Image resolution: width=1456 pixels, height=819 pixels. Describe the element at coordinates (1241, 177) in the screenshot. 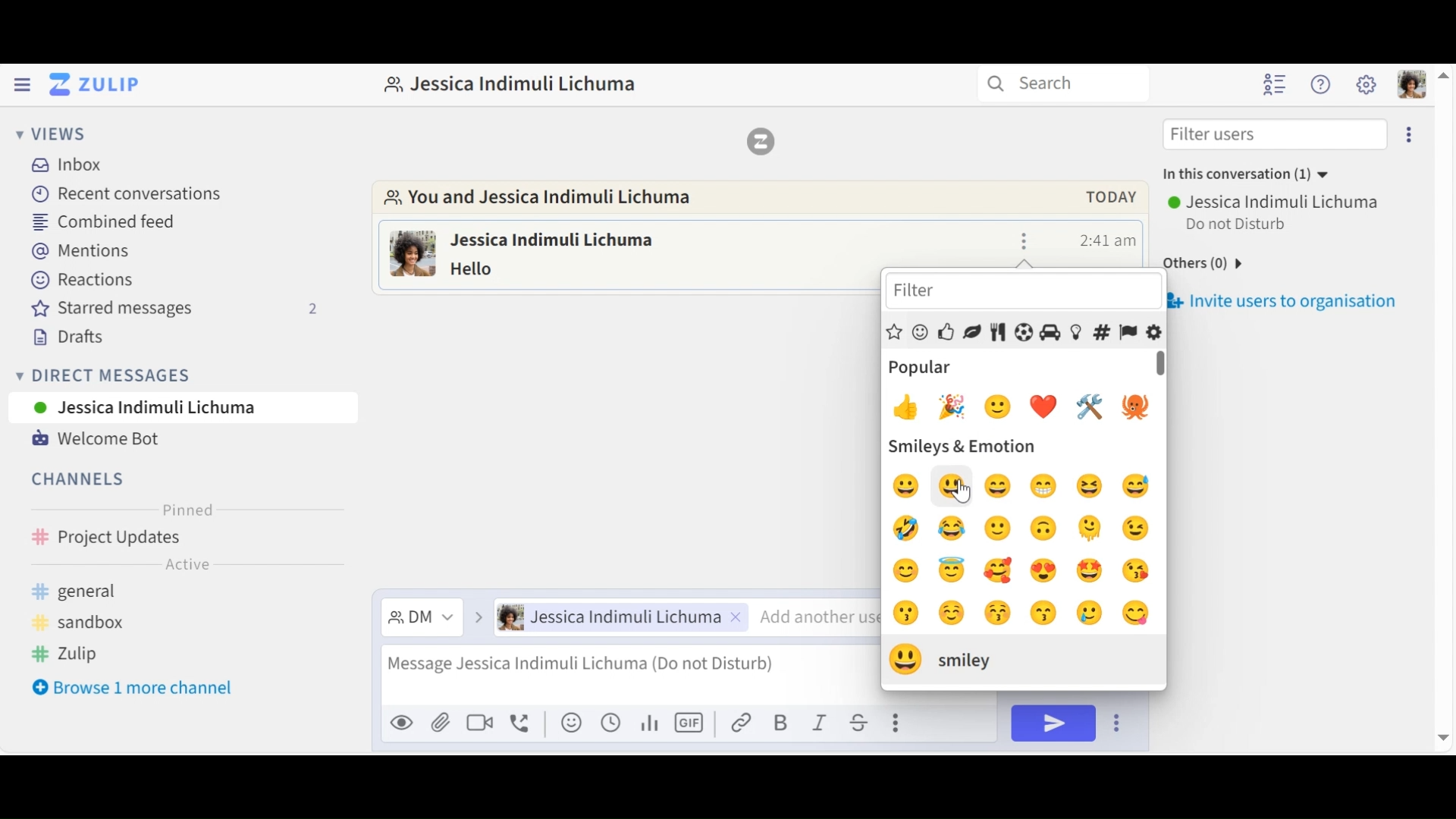

I see `in this conversation` at that location.